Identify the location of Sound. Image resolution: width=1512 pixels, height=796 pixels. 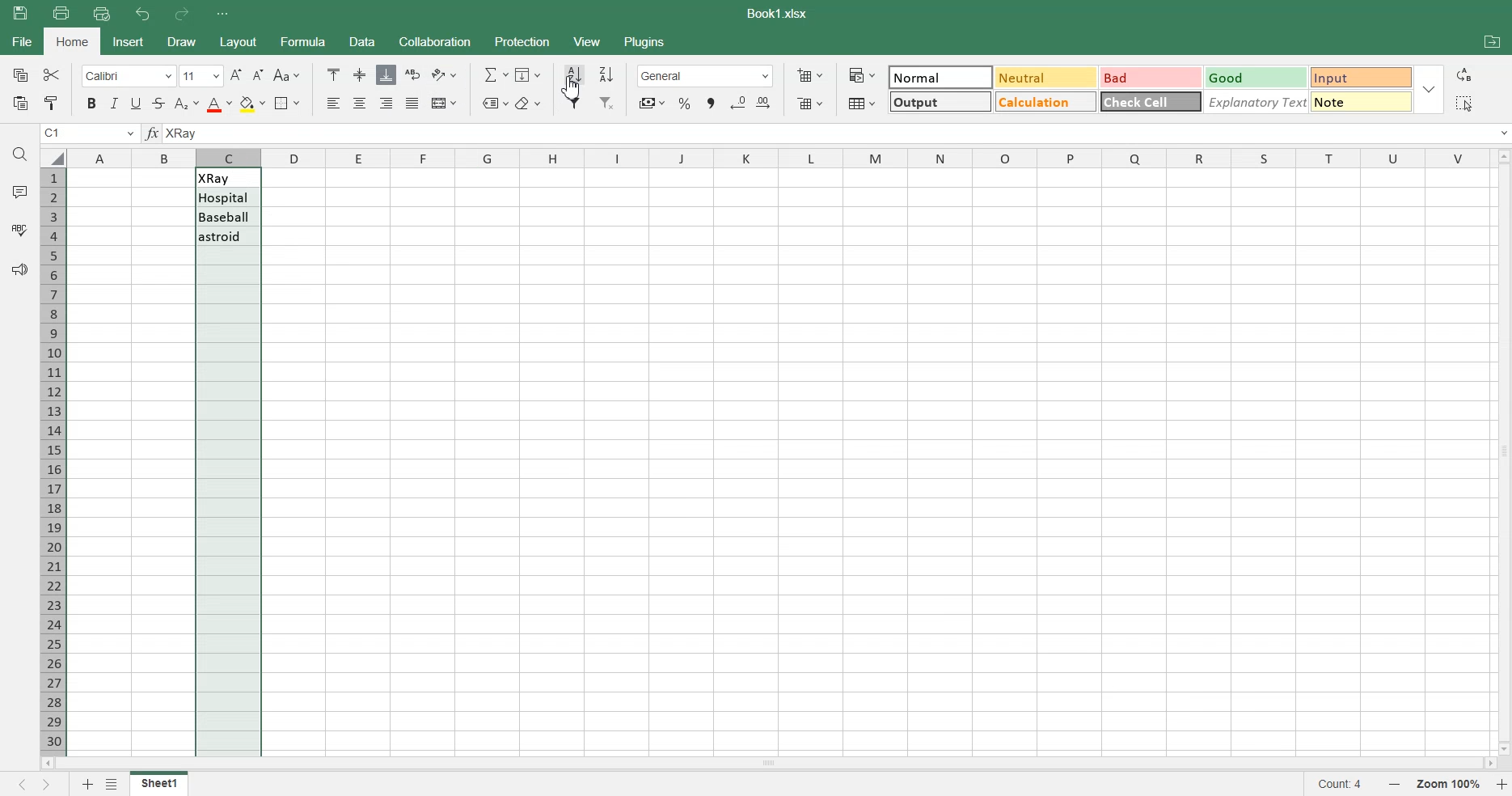
(19, 269).